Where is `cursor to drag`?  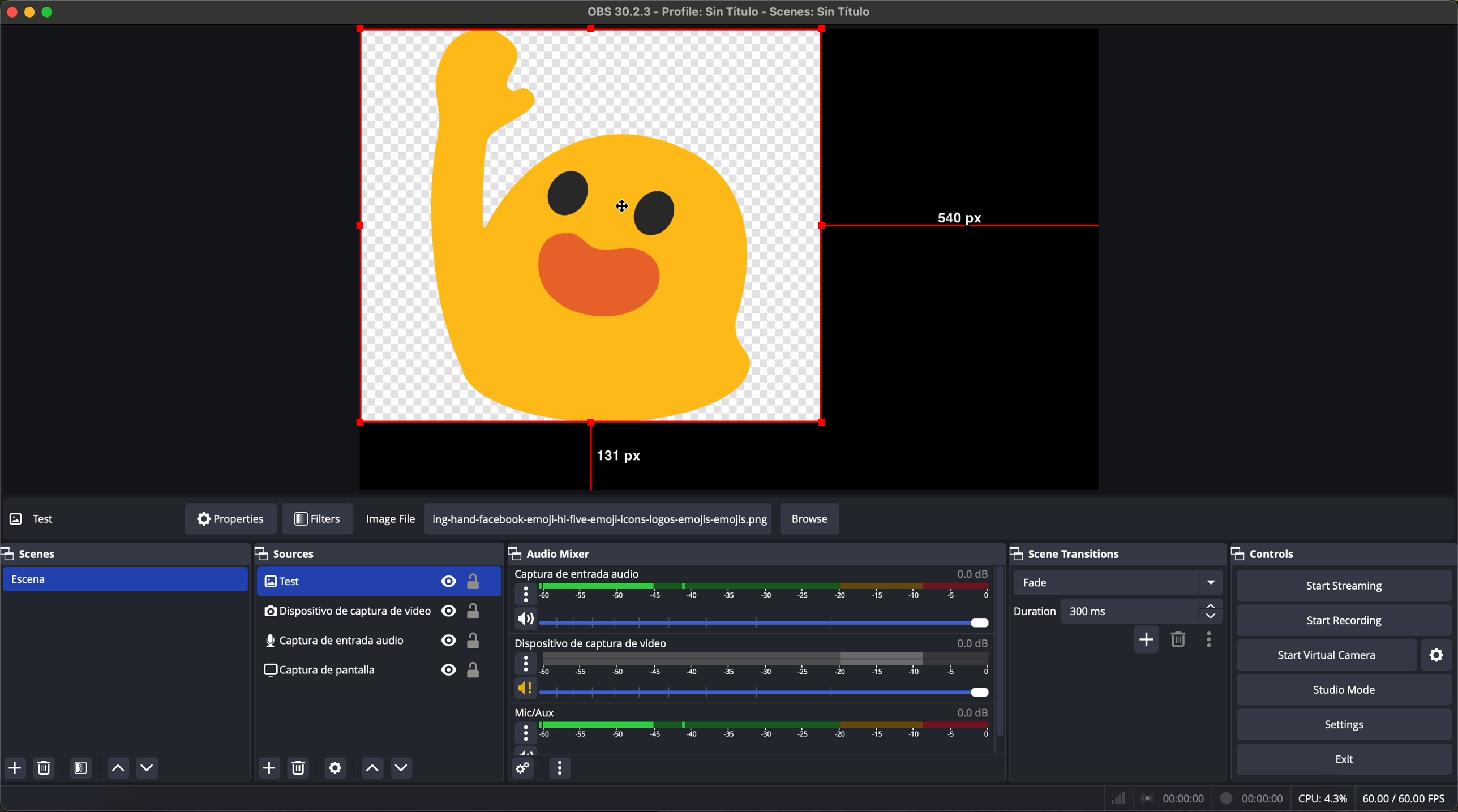 cursor to drag is located at coordinates (622, 204).